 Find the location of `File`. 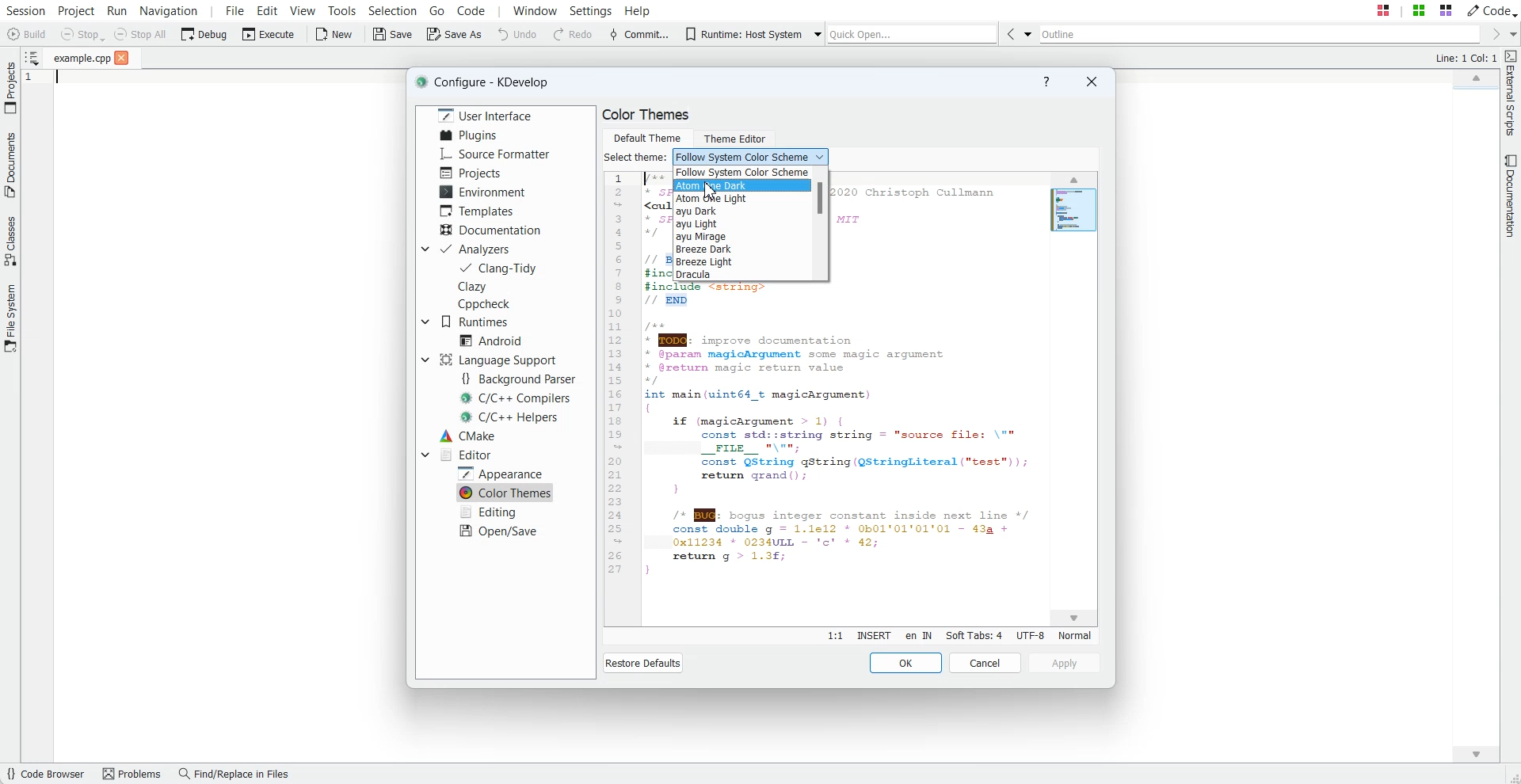

File is located at coordinates (82, 59).